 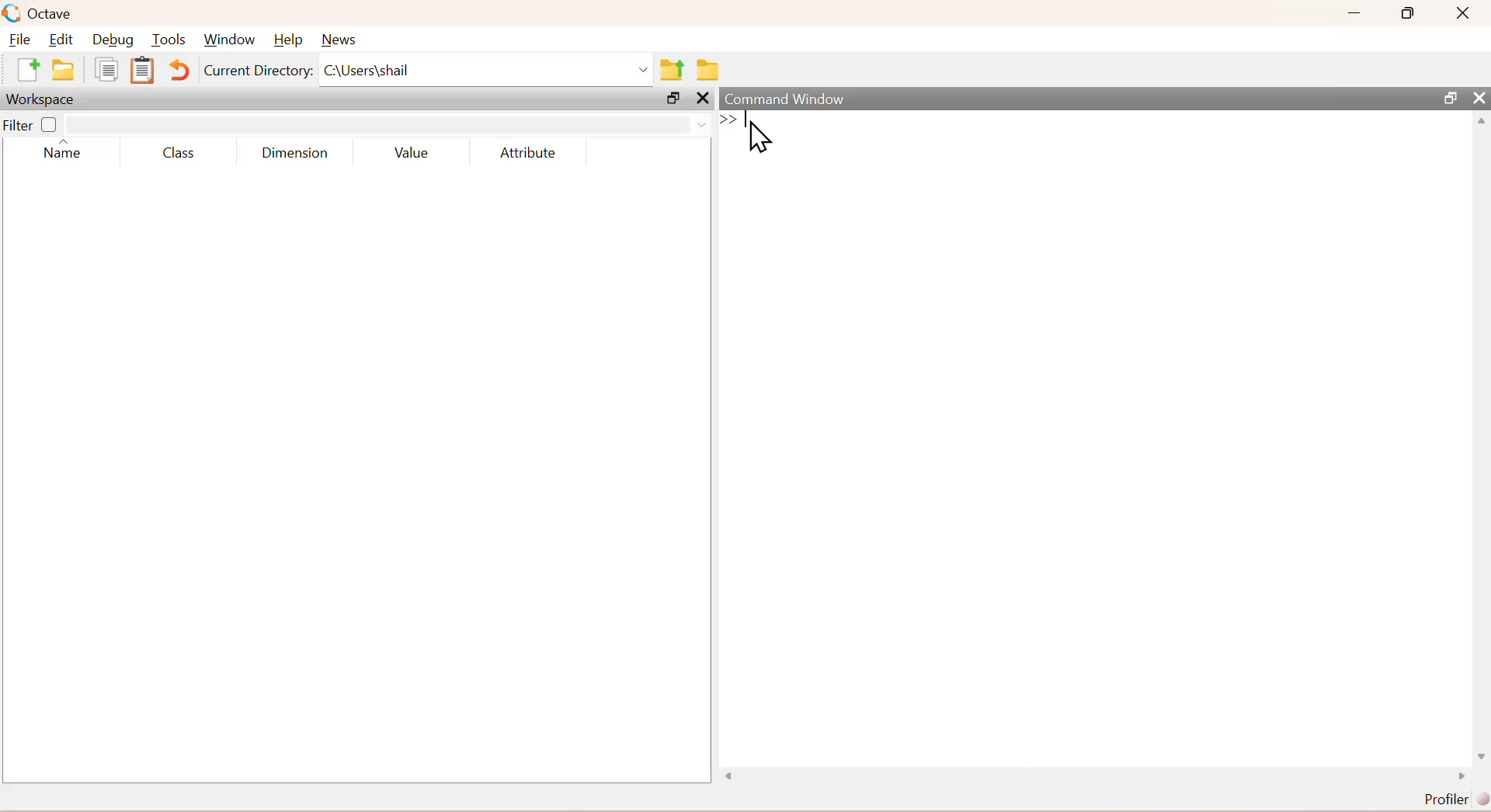 What do you see at coordinates (177, 71) in the screenshot?
I see `Undo` at bounding box center [177, 71].